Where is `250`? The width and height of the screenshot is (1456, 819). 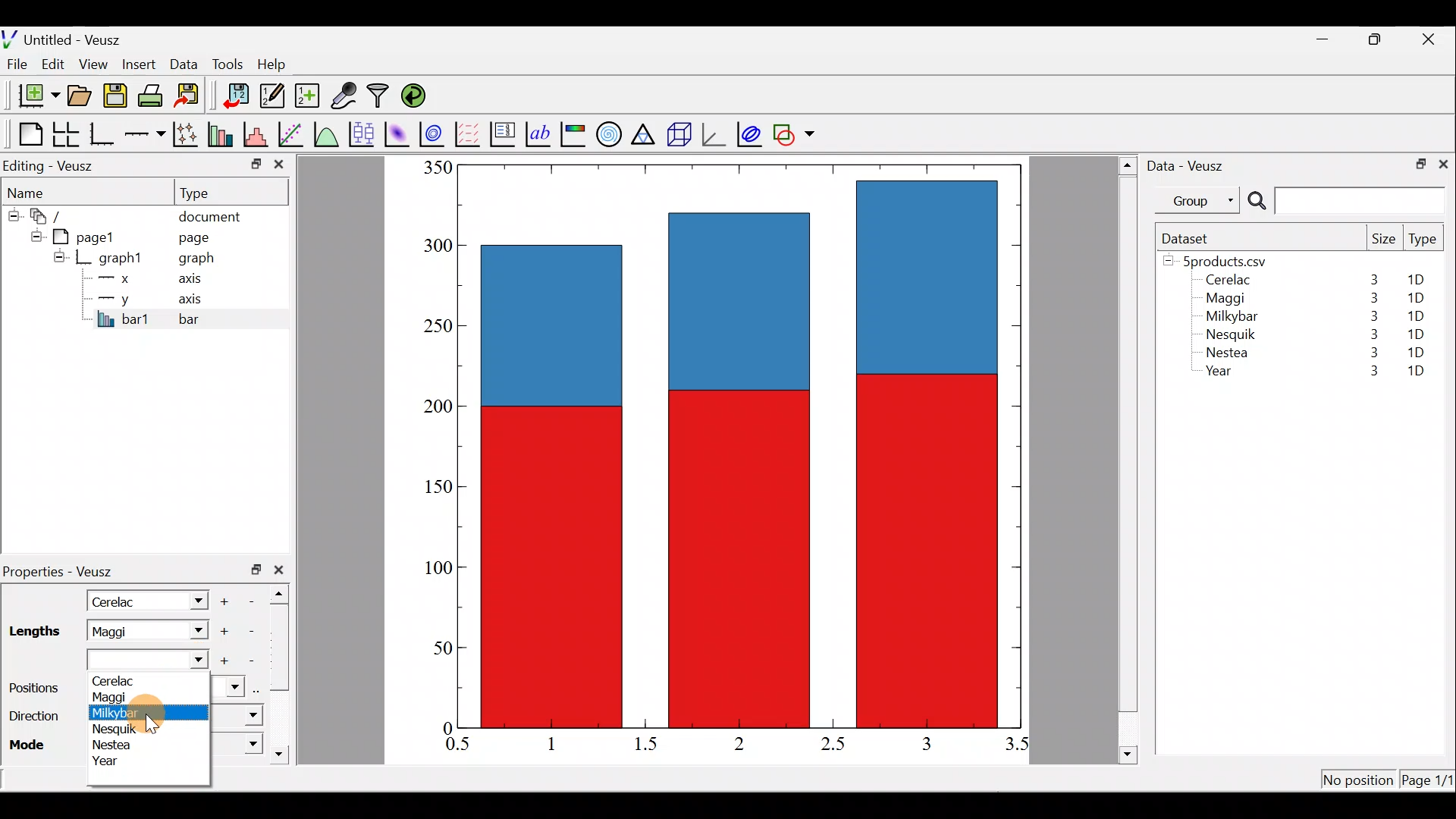
250 is located at coordinates (434, 325).